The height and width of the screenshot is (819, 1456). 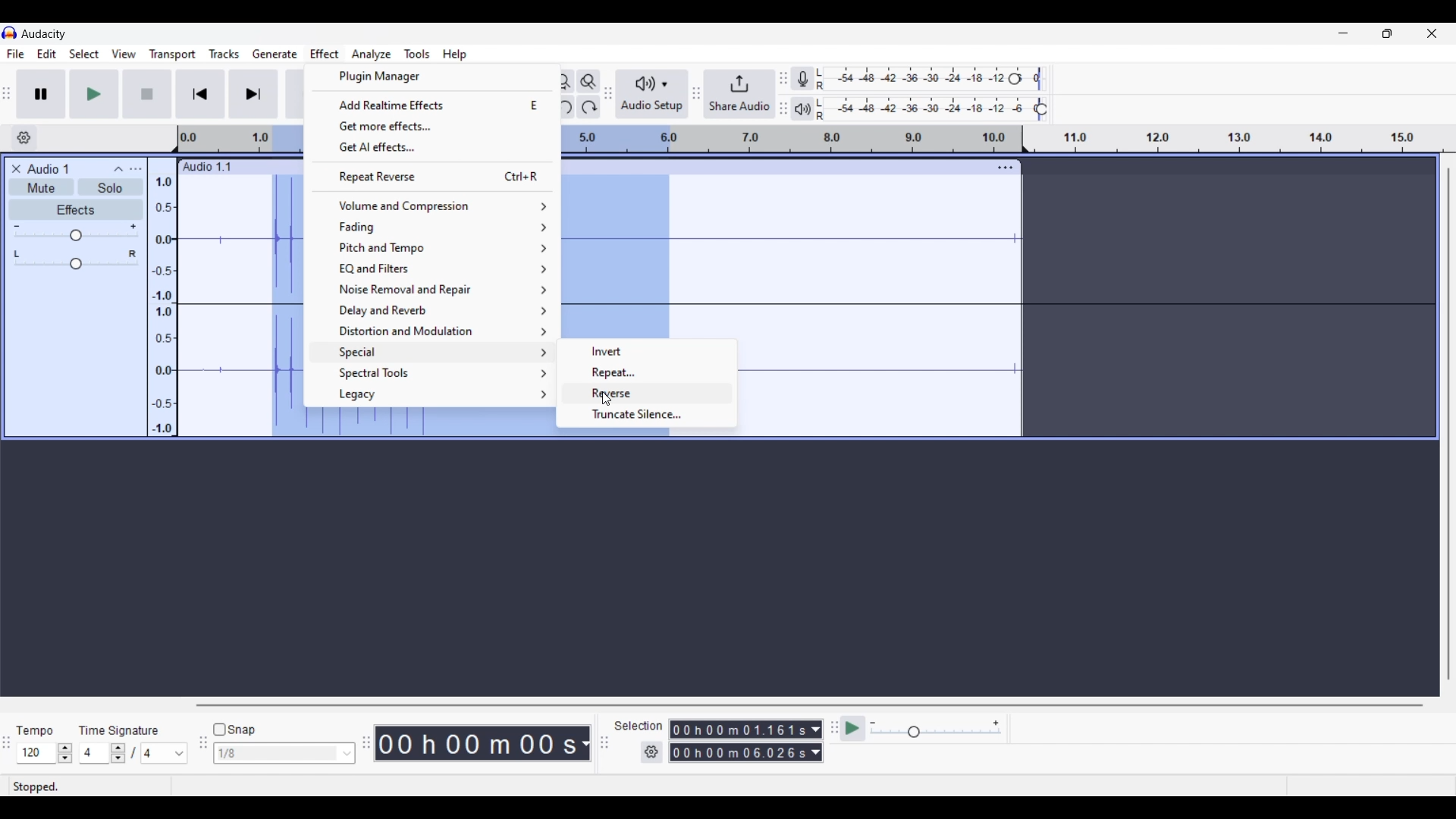 What do you see at coordinates (24, 138) in the screenshot?
I see `Timeline options` at bounding box center [24, 138].